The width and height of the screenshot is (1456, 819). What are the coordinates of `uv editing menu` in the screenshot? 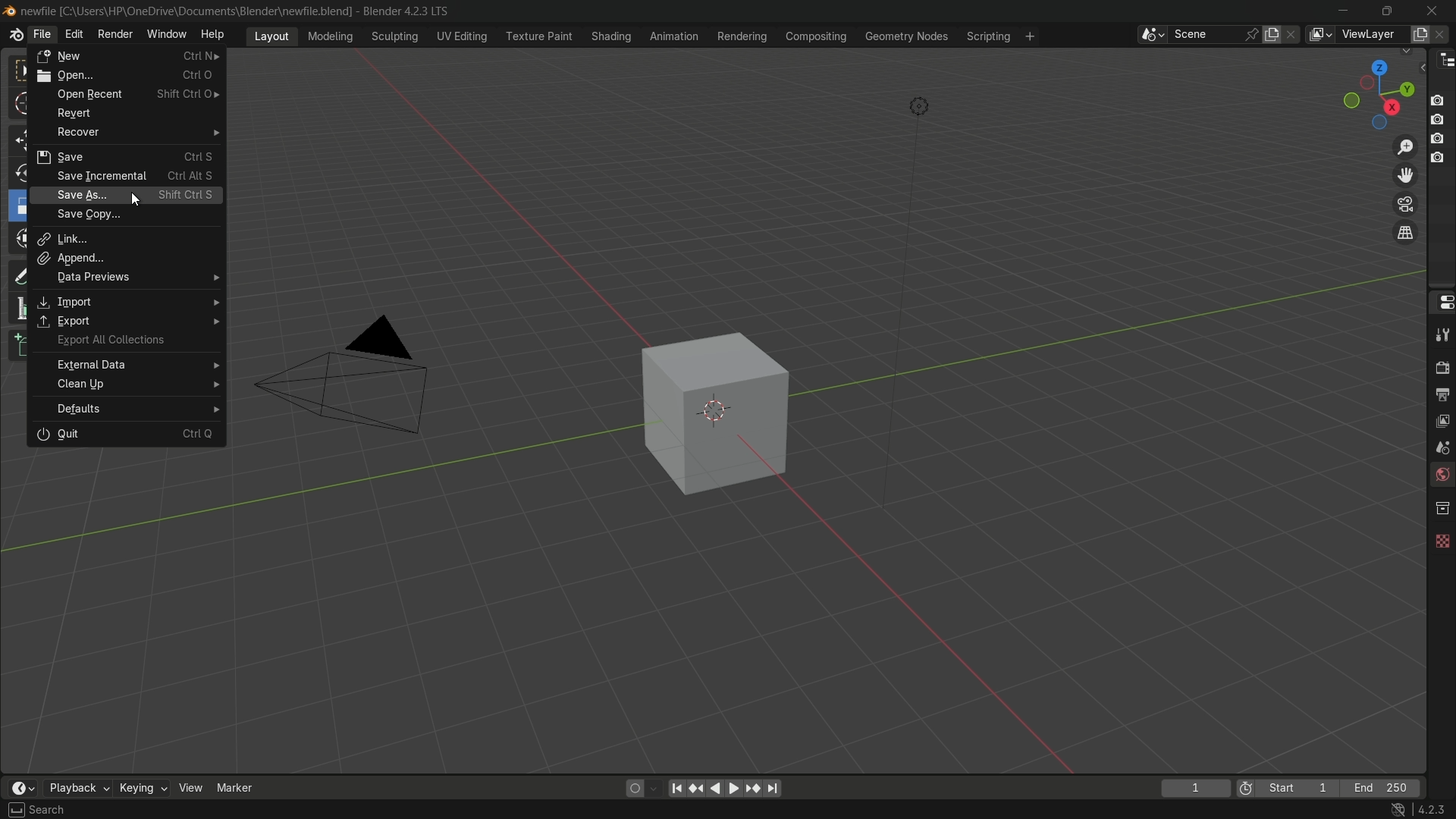 It's located at (462, 36).